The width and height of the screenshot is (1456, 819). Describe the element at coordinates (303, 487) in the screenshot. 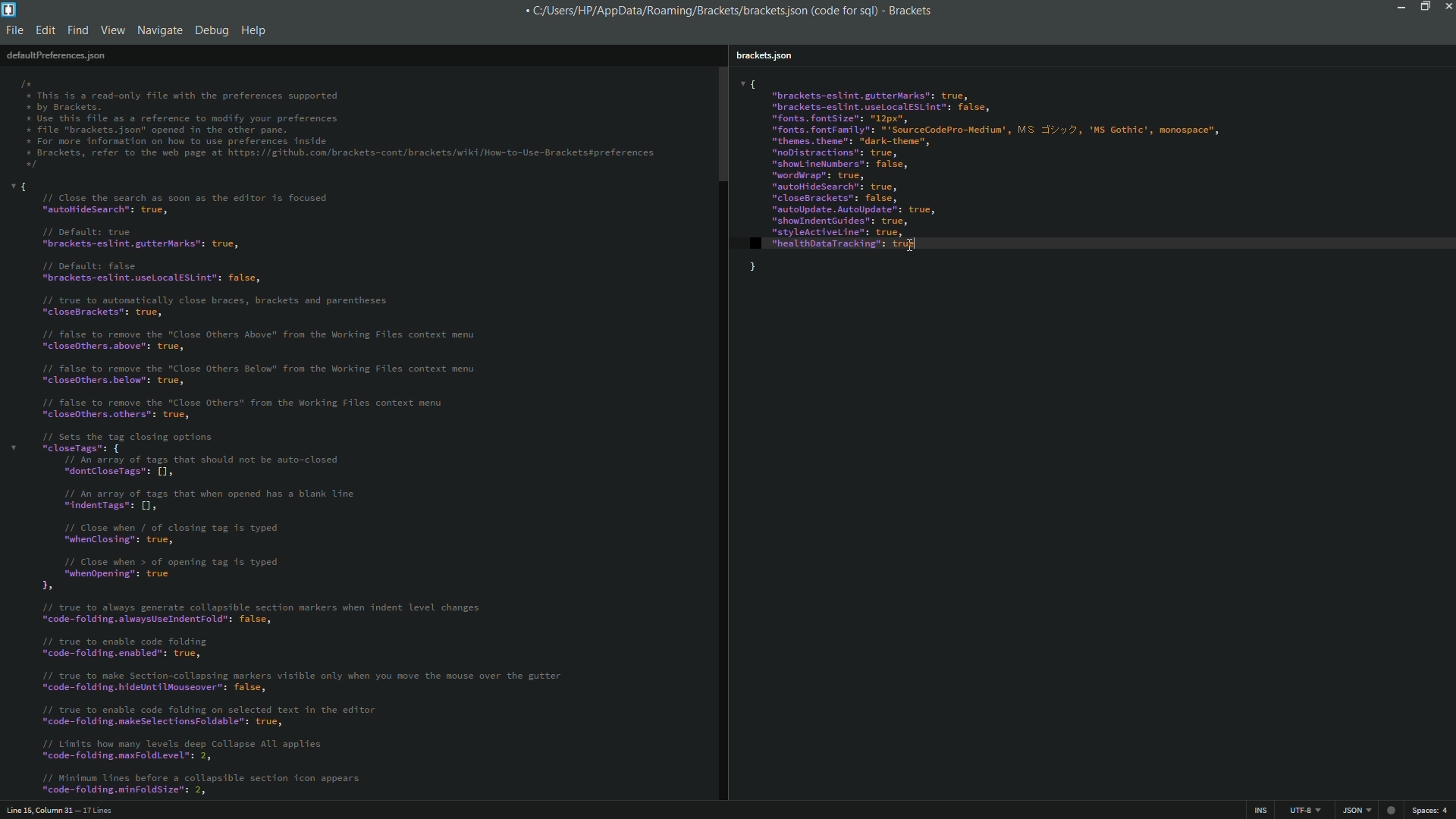

I see `Setting options` at that location.